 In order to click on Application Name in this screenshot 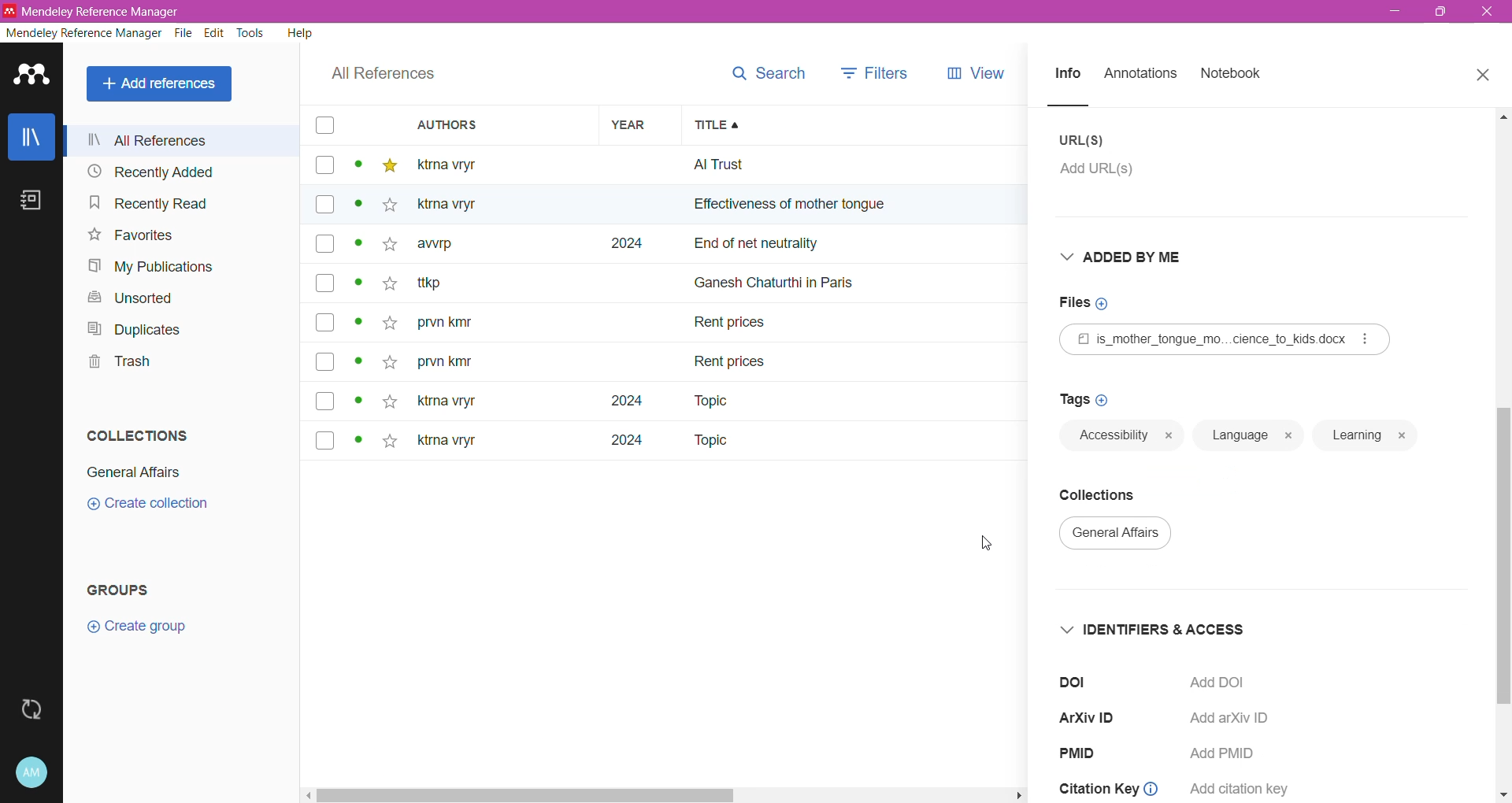, I will do `click(107, 11)`.